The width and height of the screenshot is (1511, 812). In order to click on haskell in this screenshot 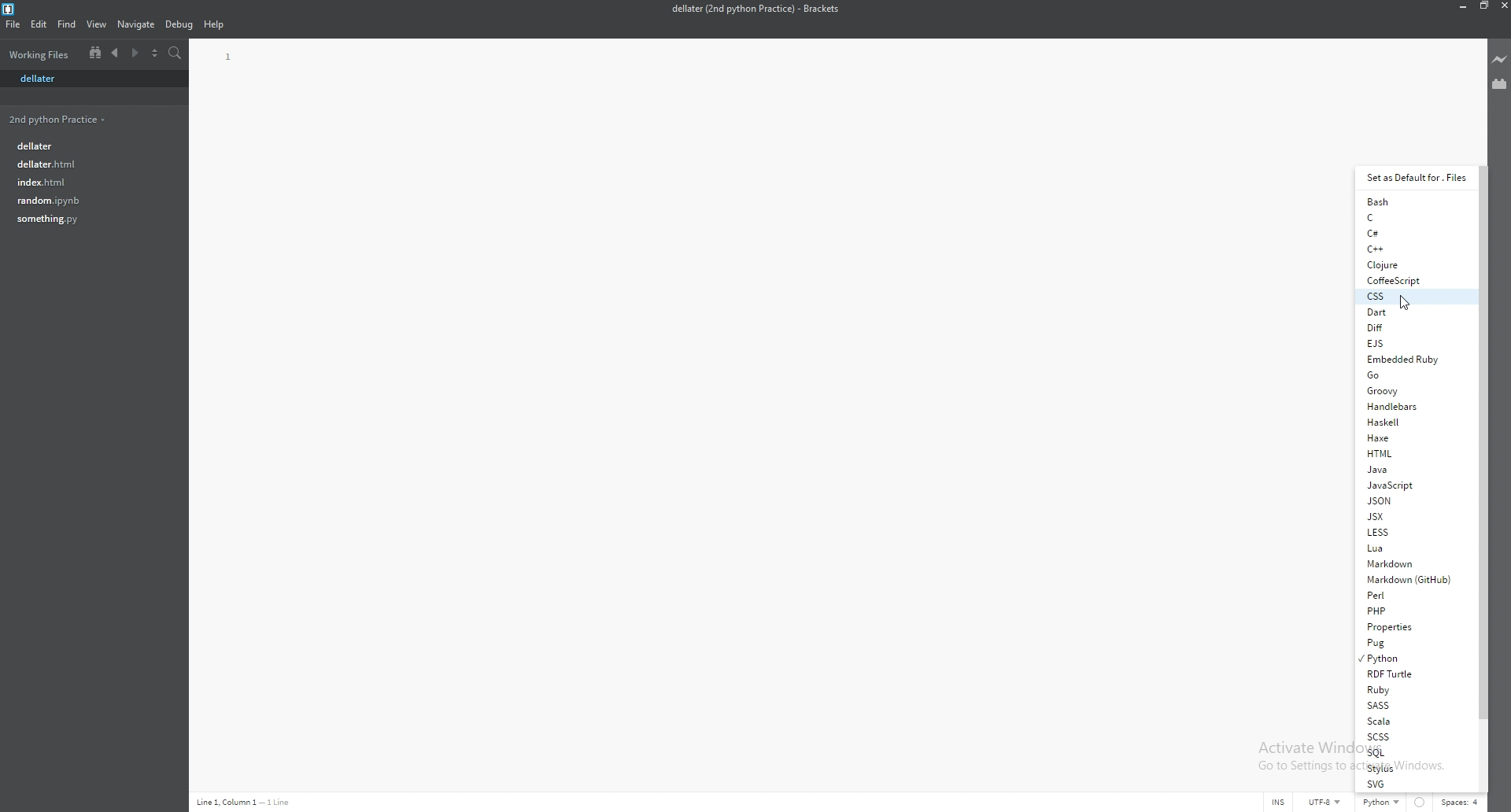, I will do `click(1411, 421)`.